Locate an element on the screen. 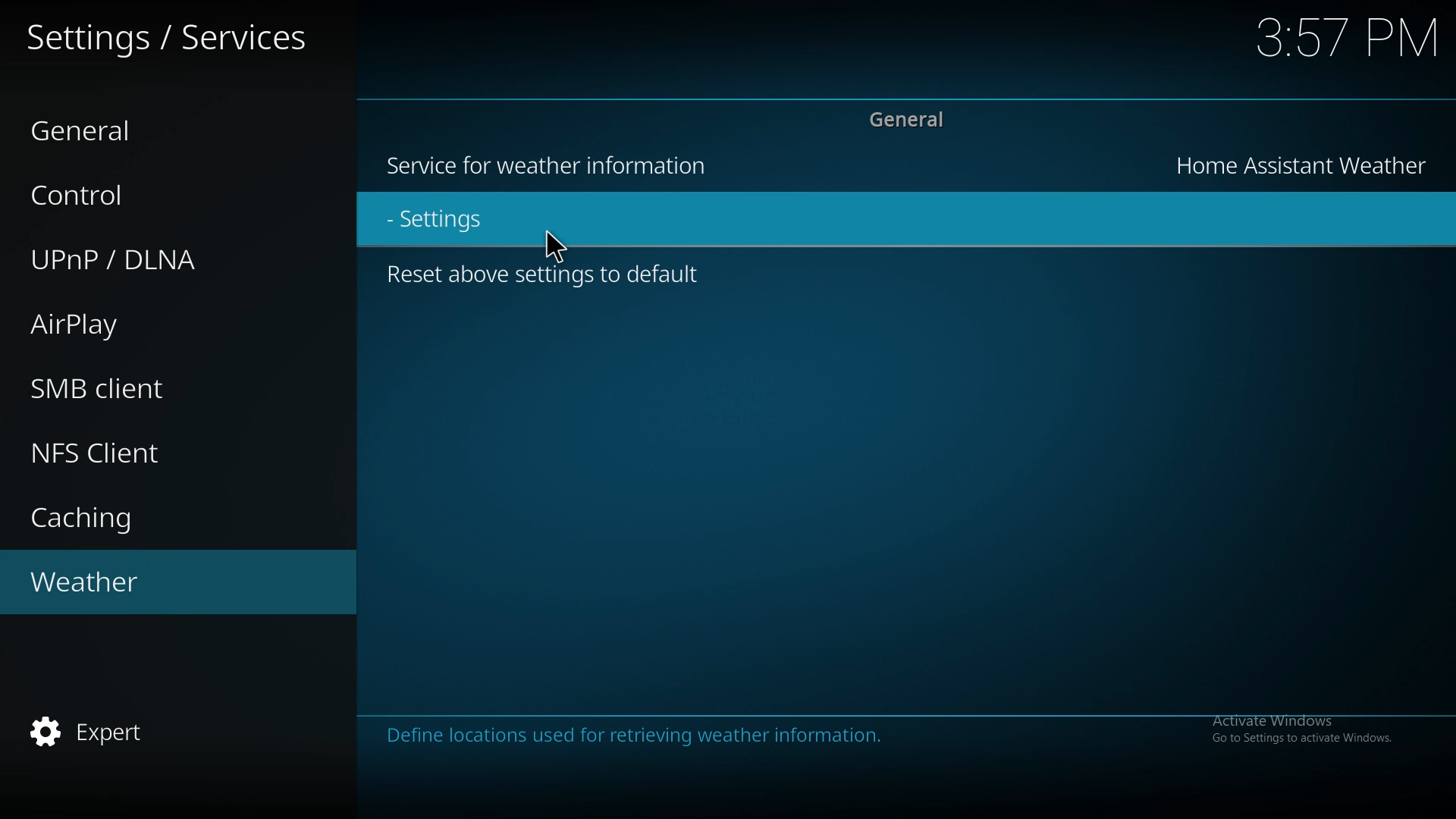  caching is located at coordinates (156, 514).